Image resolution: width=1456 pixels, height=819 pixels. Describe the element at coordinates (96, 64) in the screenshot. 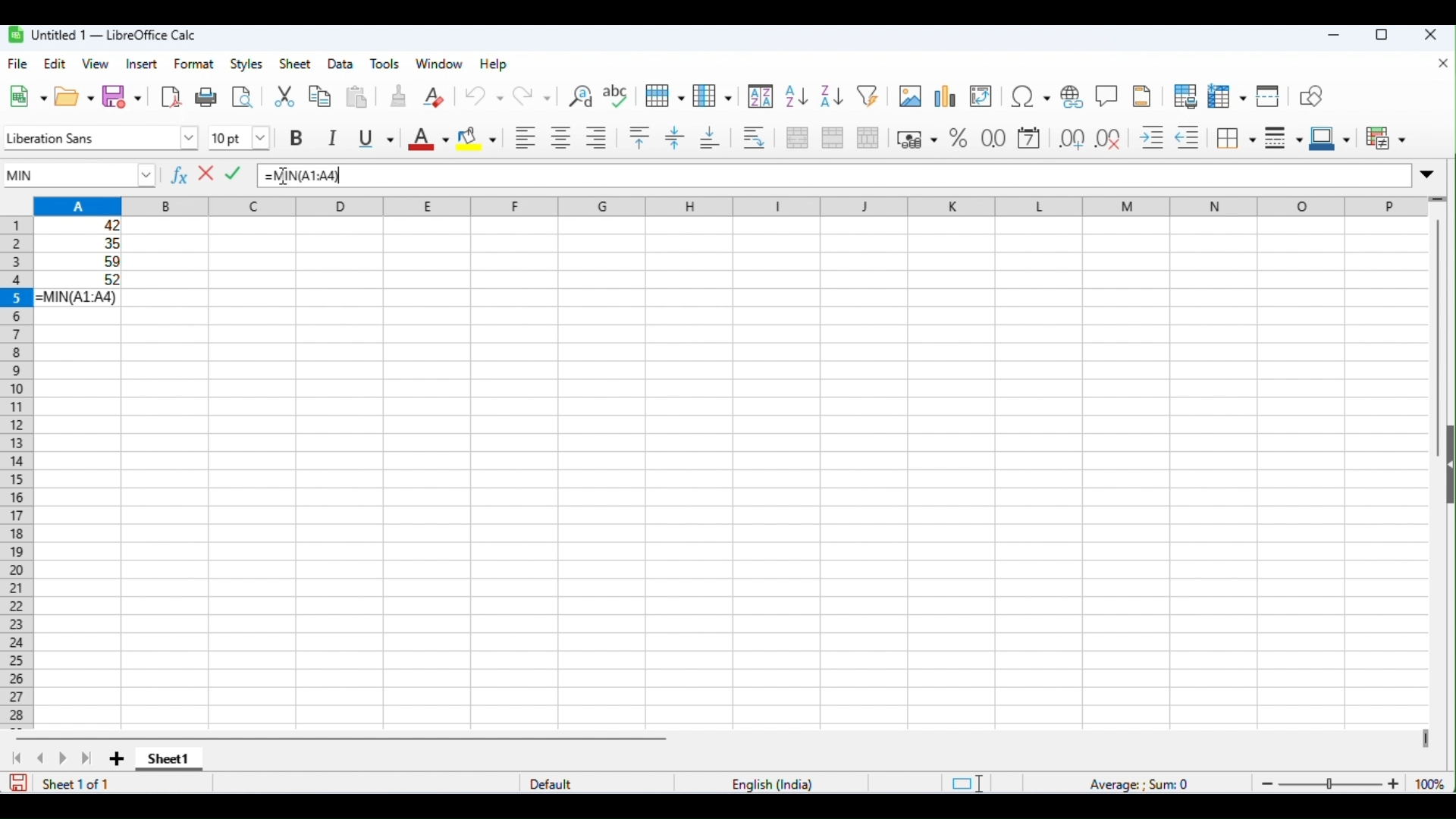

I see `view` at that location.